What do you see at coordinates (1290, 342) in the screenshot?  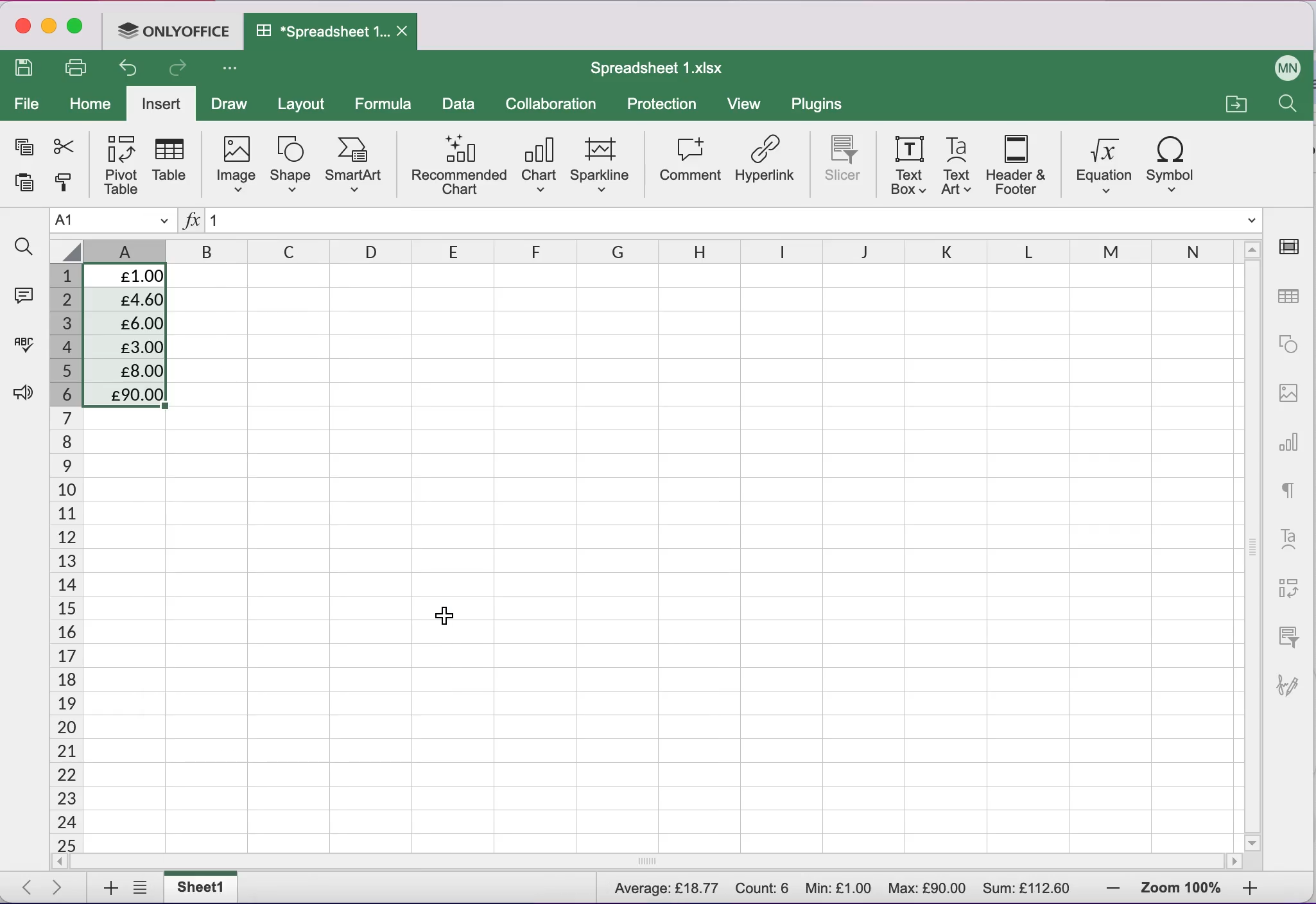 I see `shape` at bounding box center [1290, 342].